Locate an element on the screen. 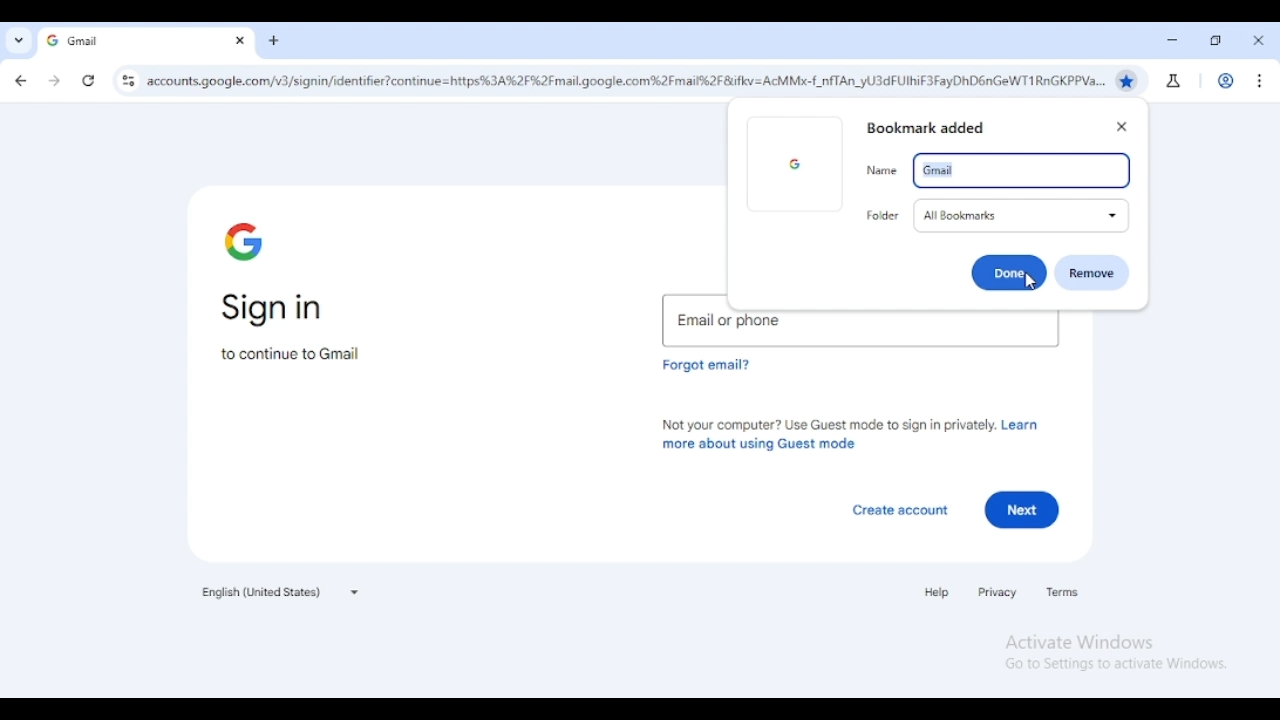 The width and height of the screenshot is (1280, 720). website URL is located at coordinates (626, 80).